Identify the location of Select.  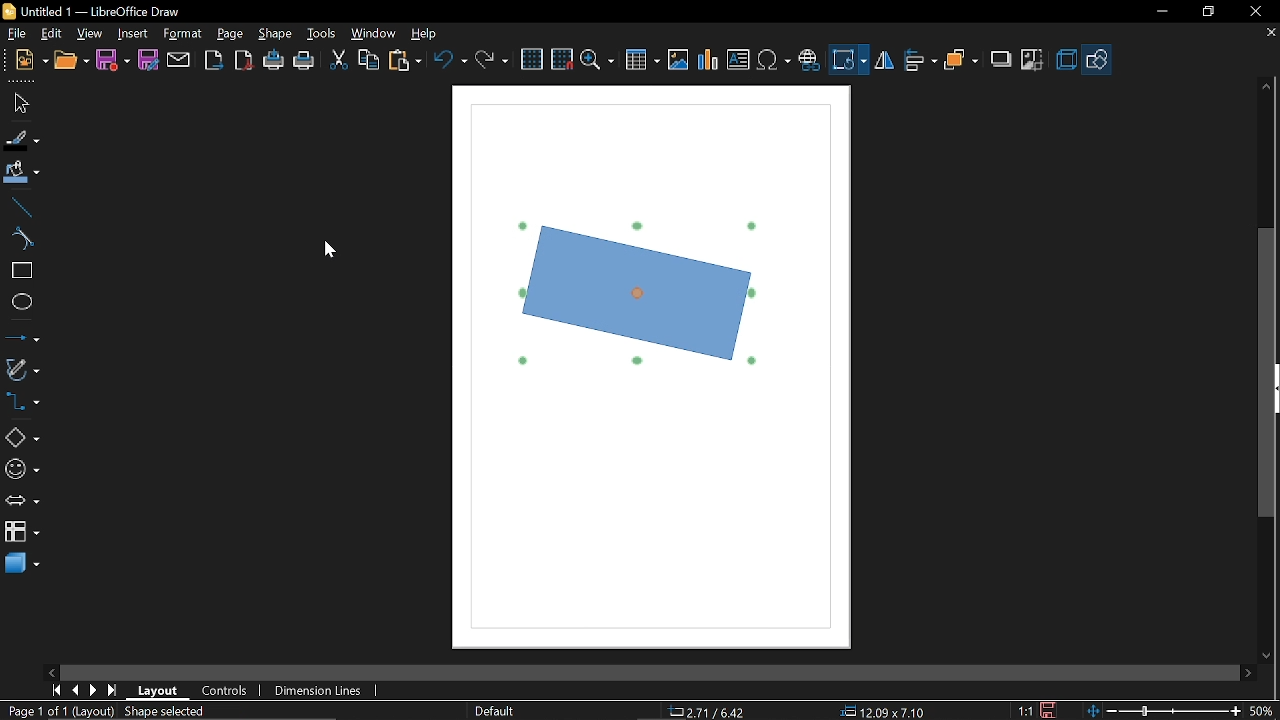
(20, 104).